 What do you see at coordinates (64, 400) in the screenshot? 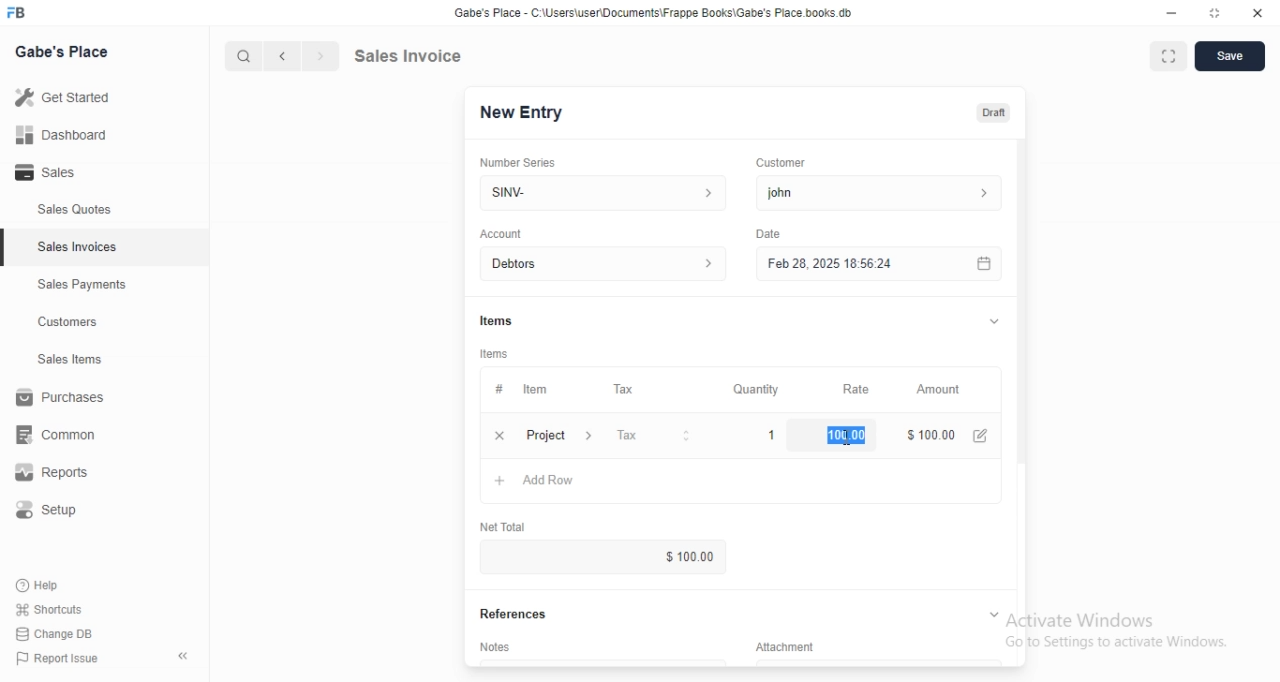
I see `Purchases` at bounding box center [64, 400].